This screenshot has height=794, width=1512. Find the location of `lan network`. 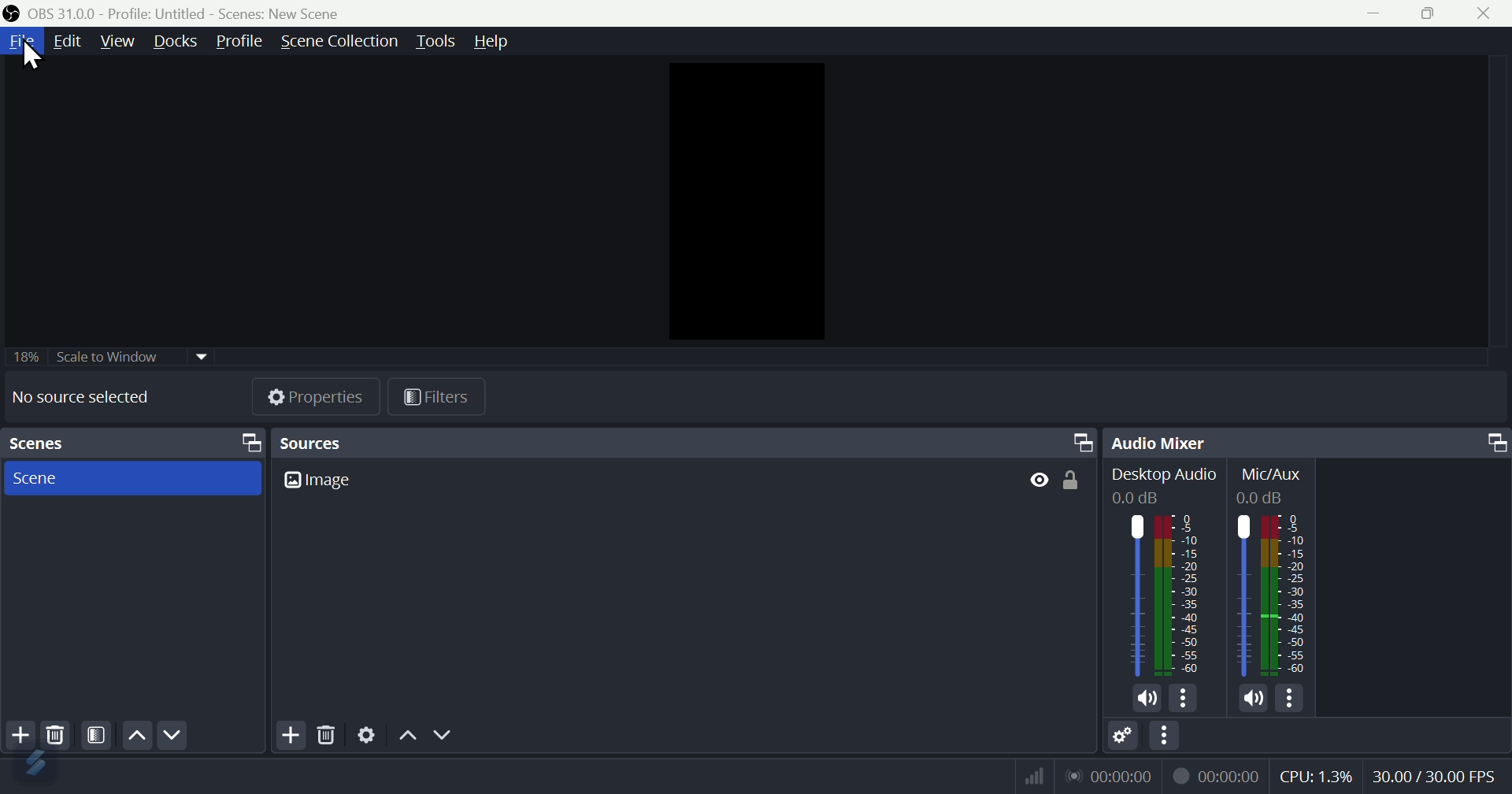

lan network is located at coordinates (1106, 777).